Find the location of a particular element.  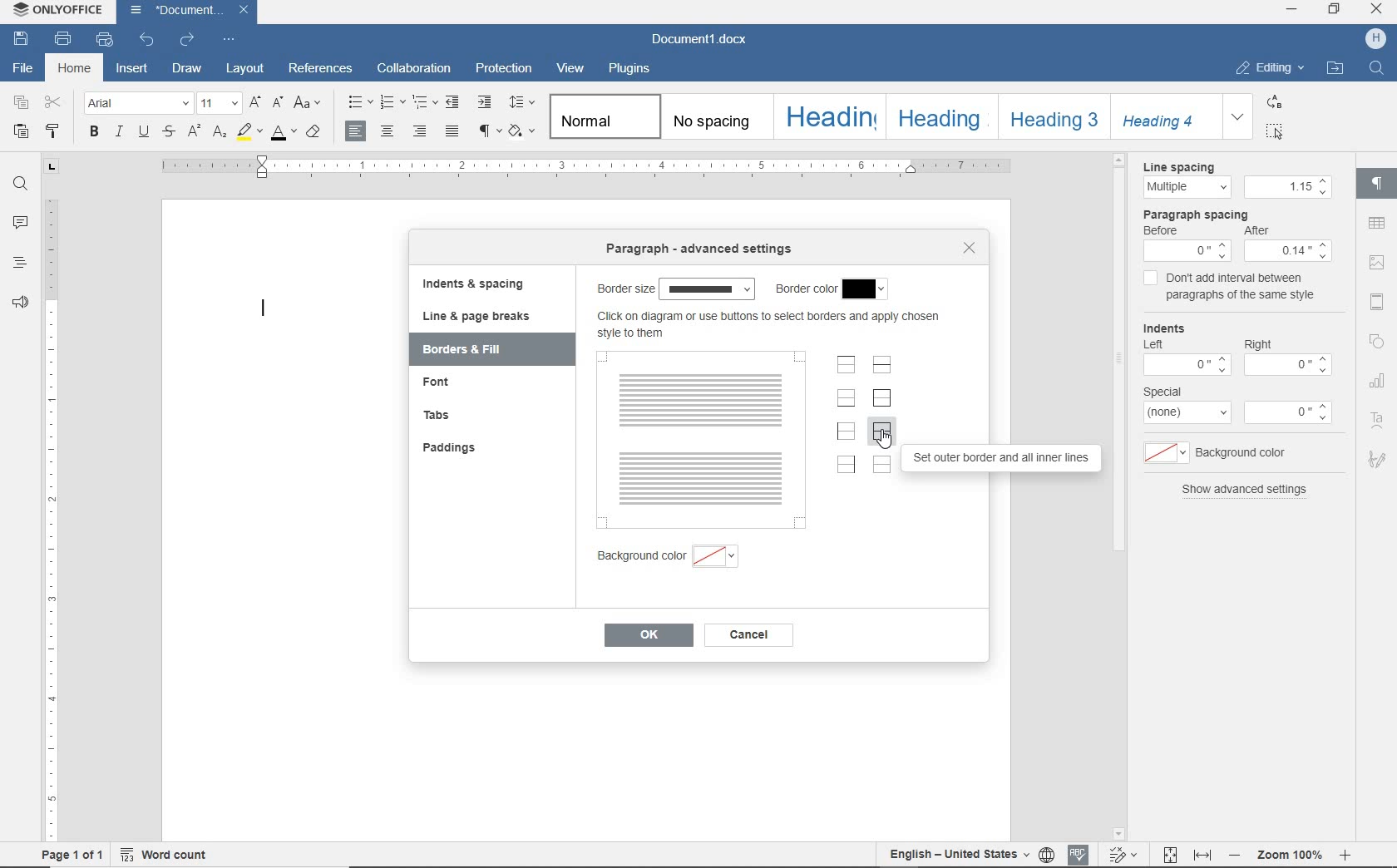

bullets is located at coordinates (361, 104).